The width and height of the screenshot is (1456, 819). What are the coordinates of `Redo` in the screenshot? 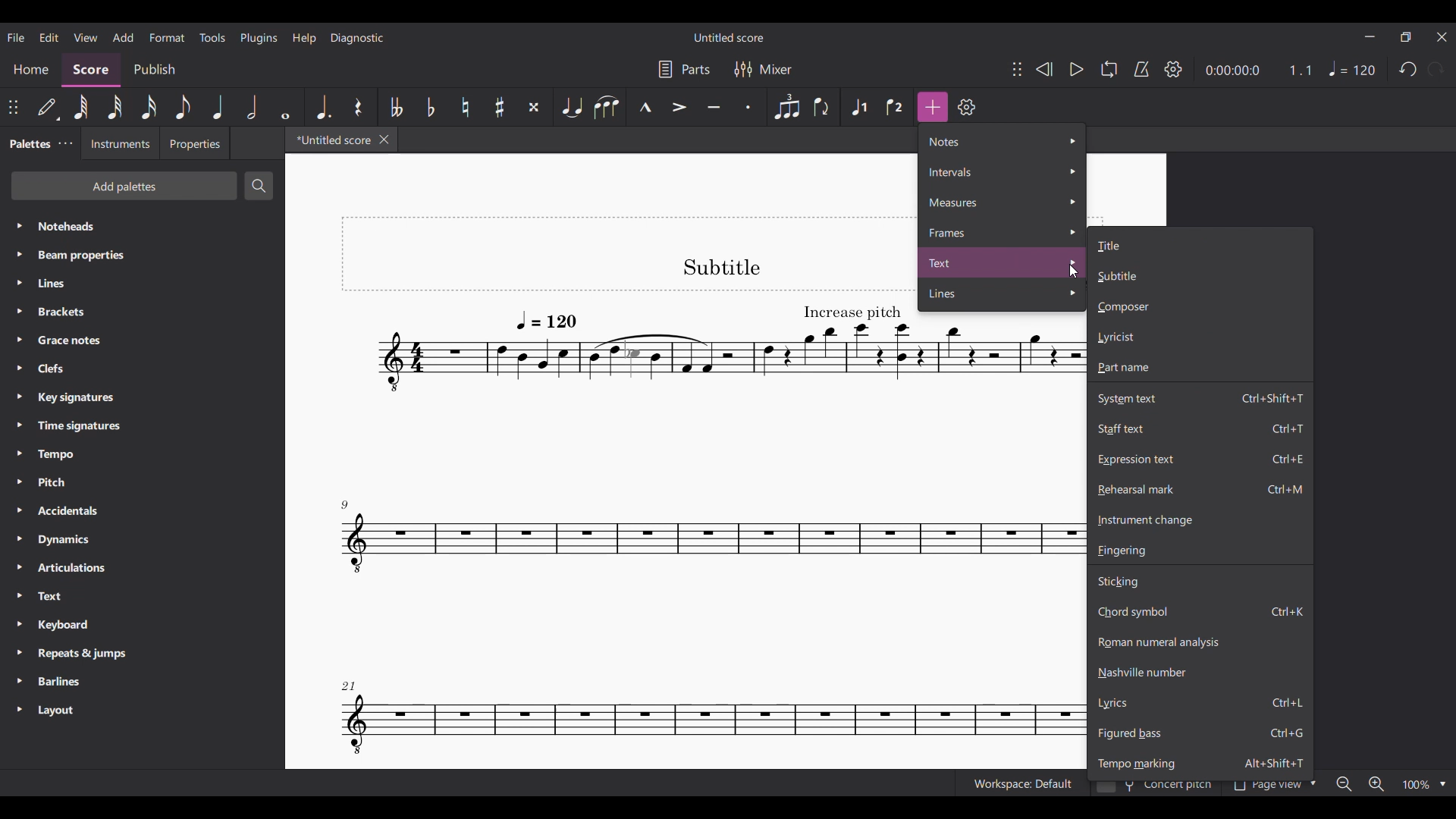 It's located at (1436, 69).